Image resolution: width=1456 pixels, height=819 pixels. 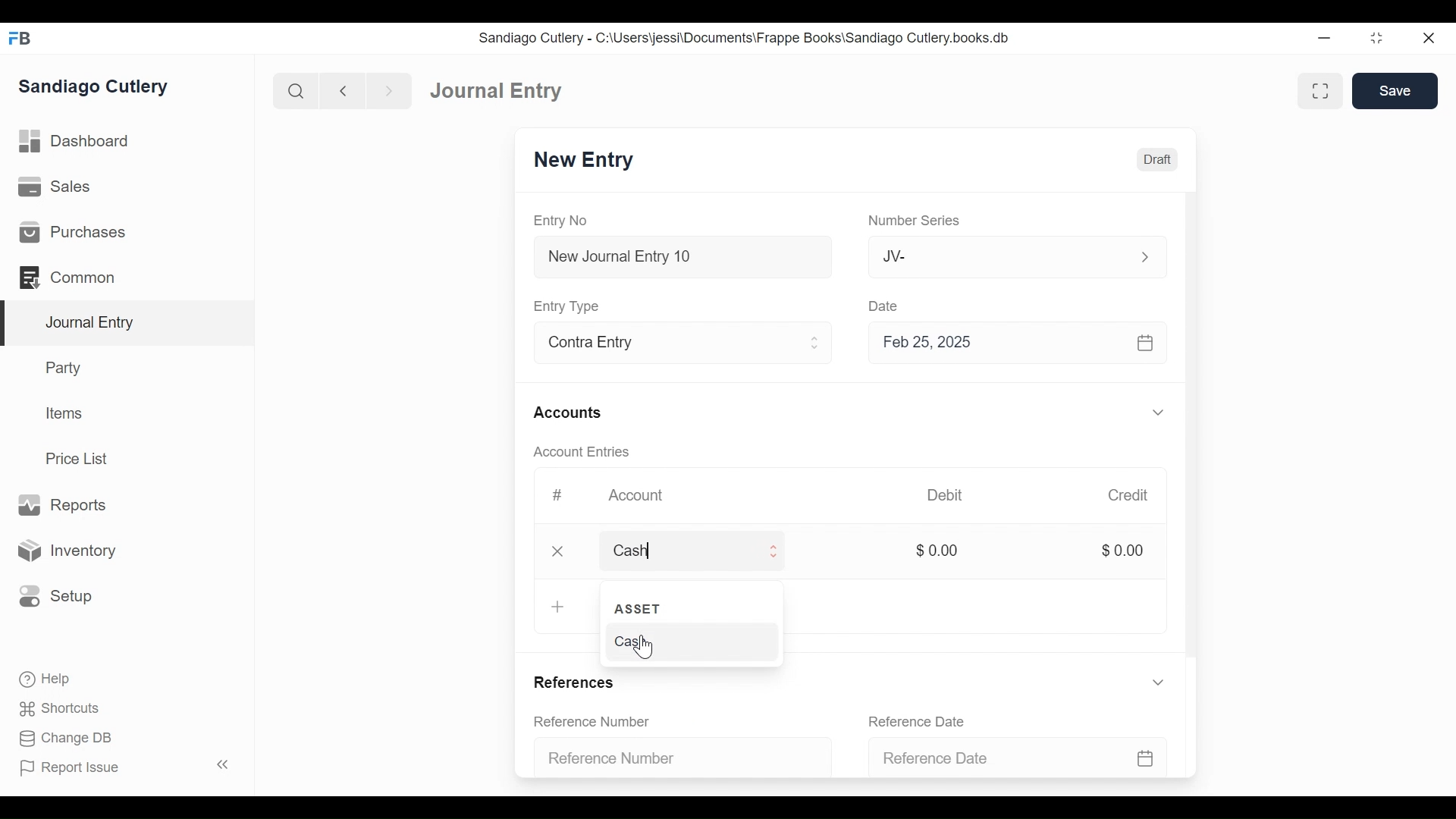 What do you see at coordinates (565, 220) in the screenshot?
I see `Entry No` at bounding box center [565, 220].